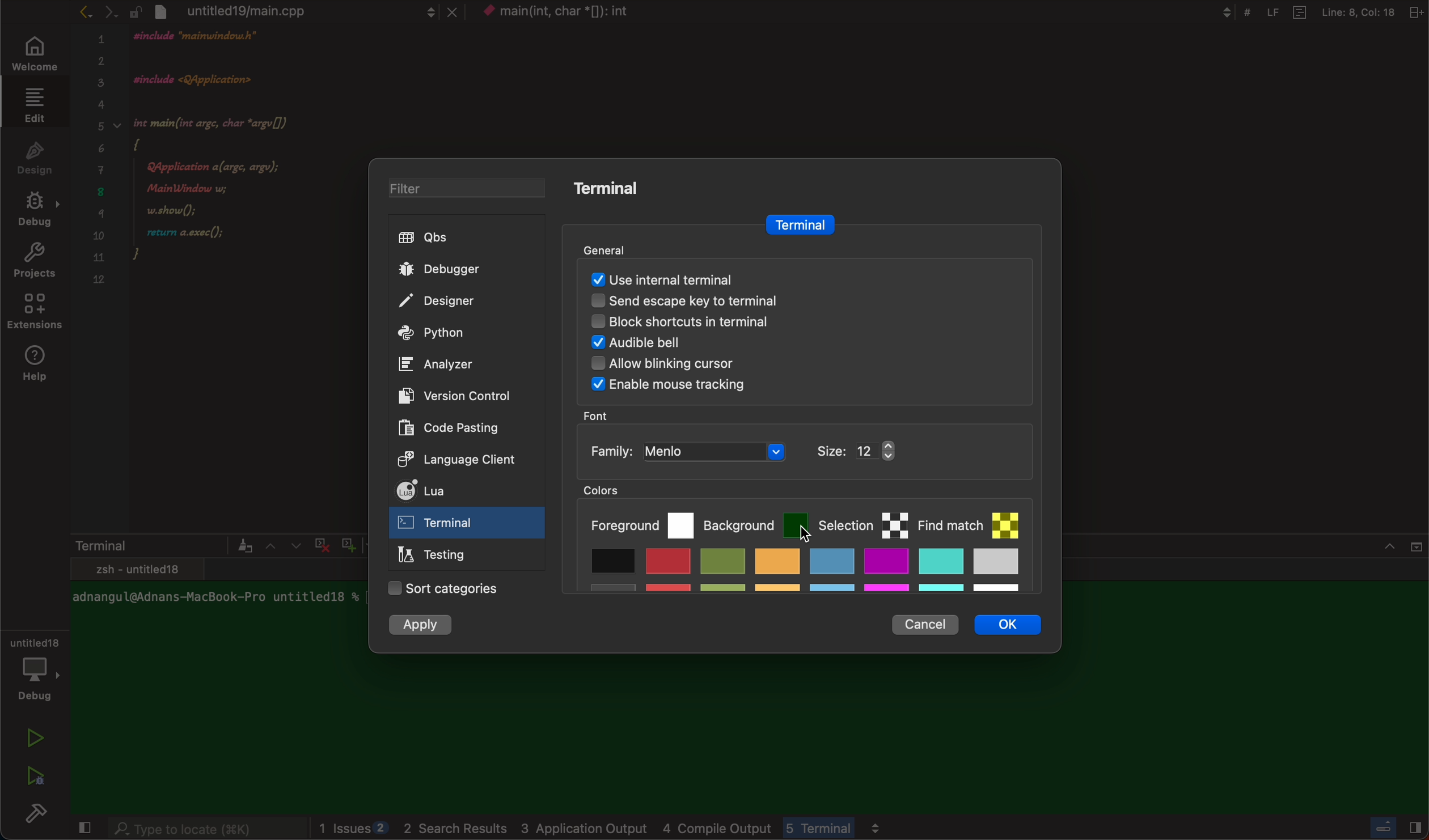 The width and height of the screenshot is (1429, 840). What do you see at coordinates (100, 166) in the screenshot?
I see `numbers` at bounding box center [100, 166].